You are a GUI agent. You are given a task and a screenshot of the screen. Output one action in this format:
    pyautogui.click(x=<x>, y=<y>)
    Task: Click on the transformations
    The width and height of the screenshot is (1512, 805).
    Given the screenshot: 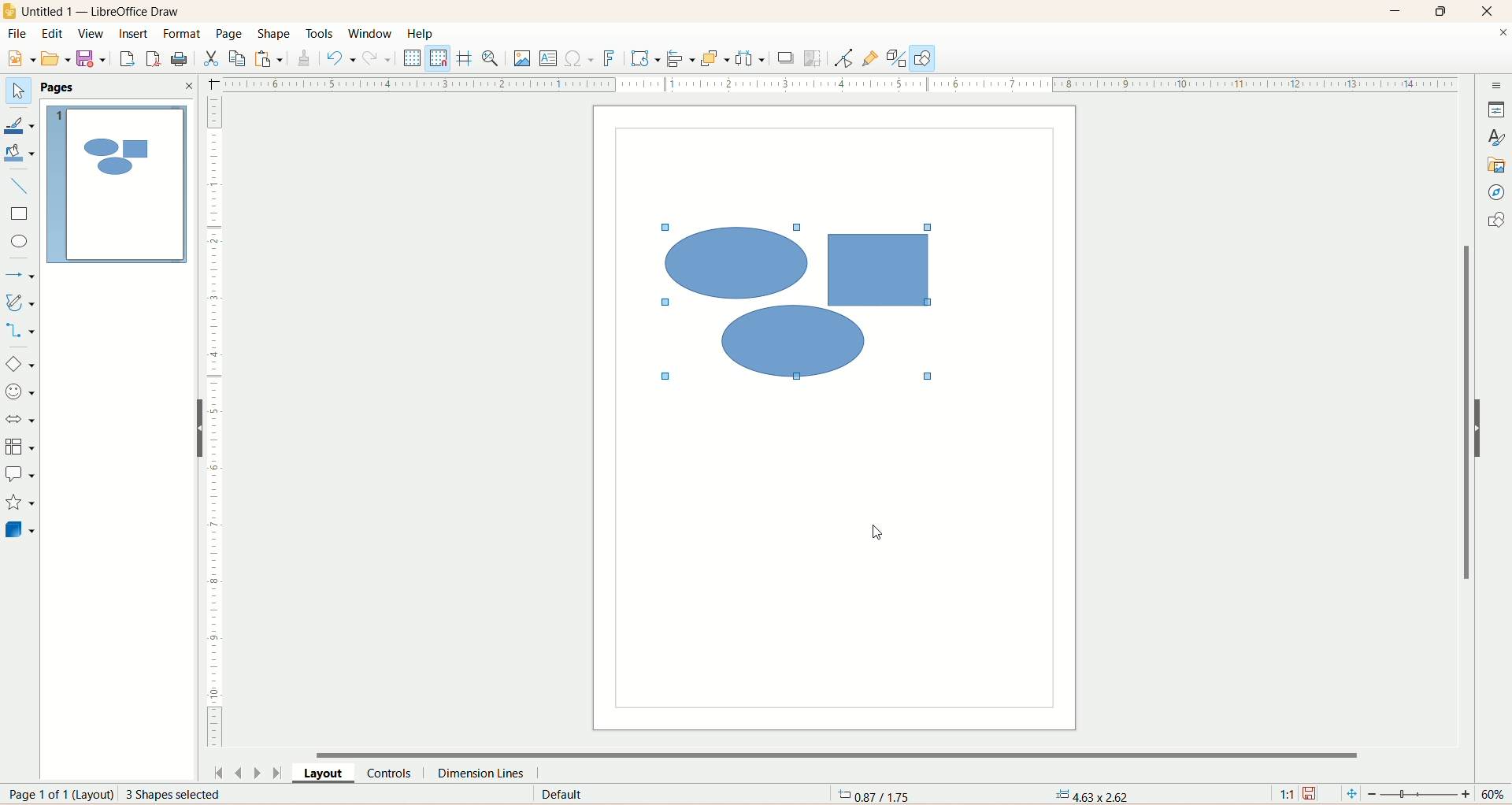 What is the action you would take?
    pyautogui.click(x=647, y=61)
    